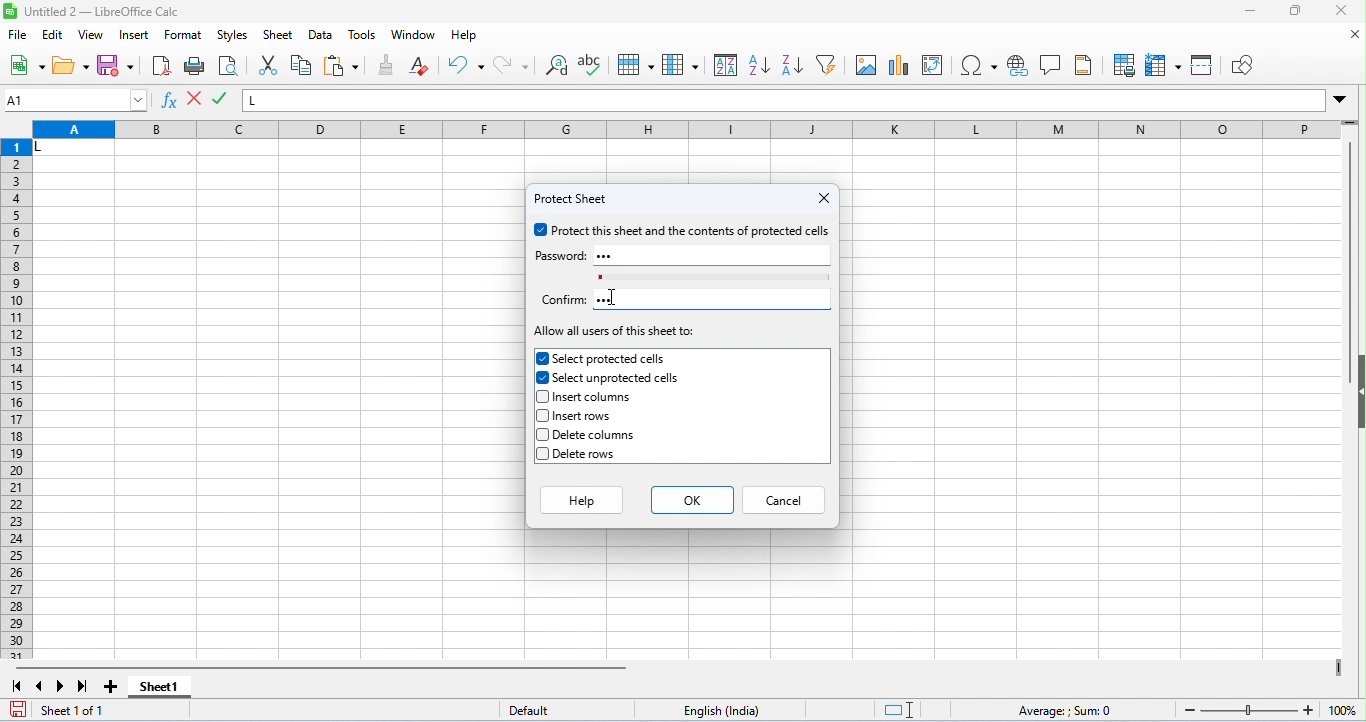 The height and width of the screenshot is (722, 1366). Describe the element at coordinates (278, 35) in the screenshot. I see `sheet` at that location.